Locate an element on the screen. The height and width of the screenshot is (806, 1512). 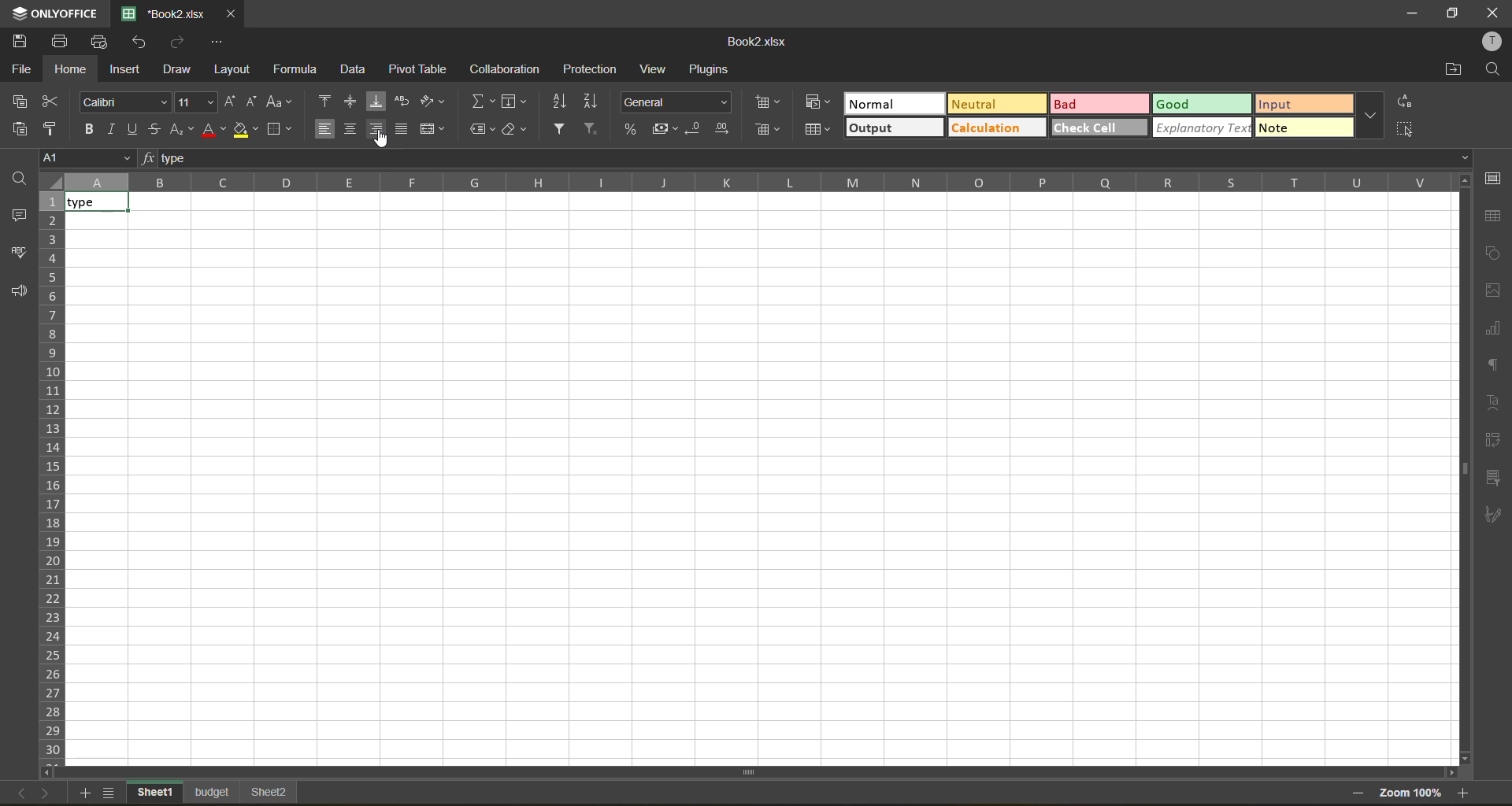
increment size is located at coordinates (232, 100).